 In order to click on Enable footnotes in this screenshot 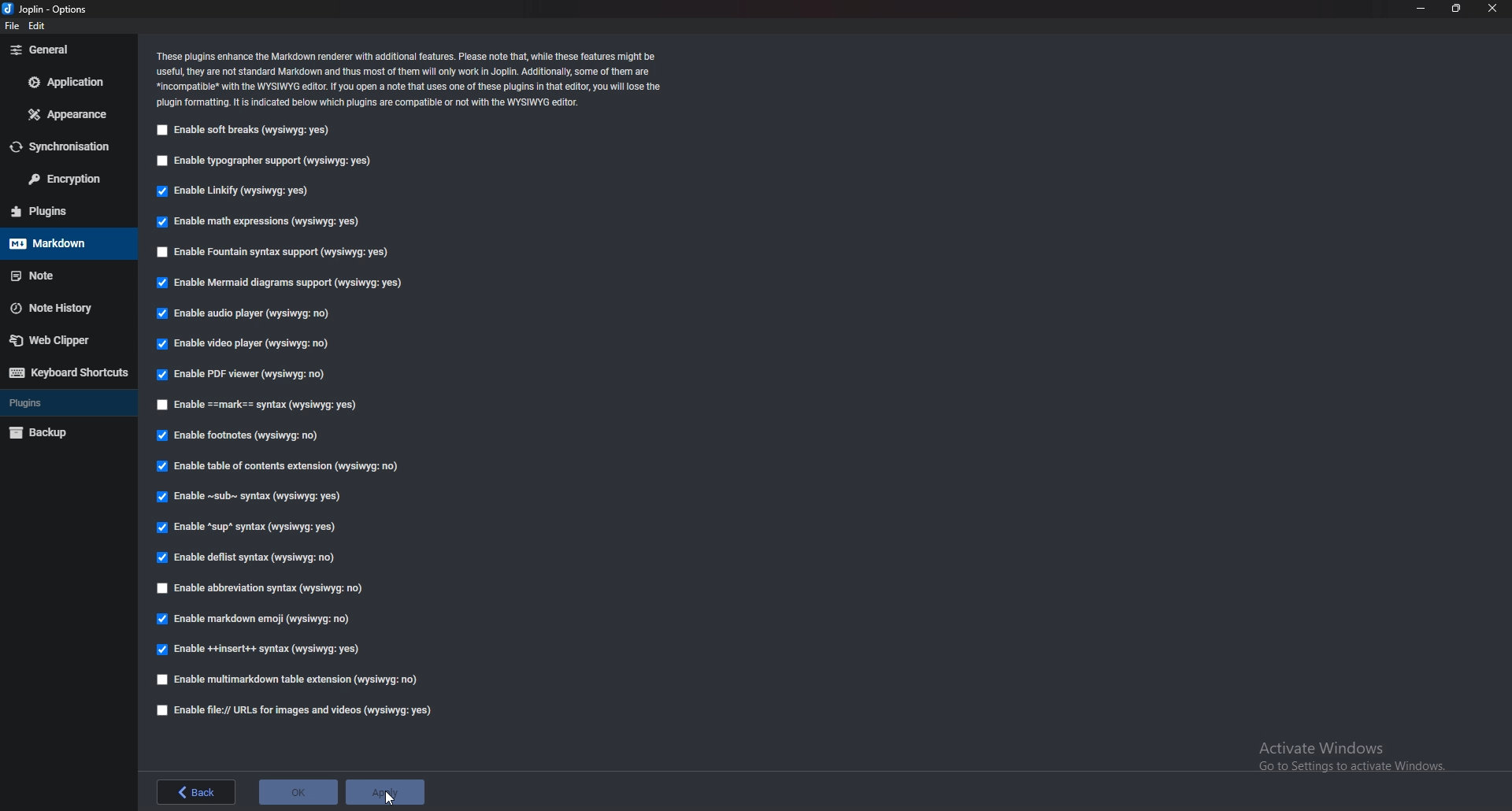, I will do `click(239, 438)`.